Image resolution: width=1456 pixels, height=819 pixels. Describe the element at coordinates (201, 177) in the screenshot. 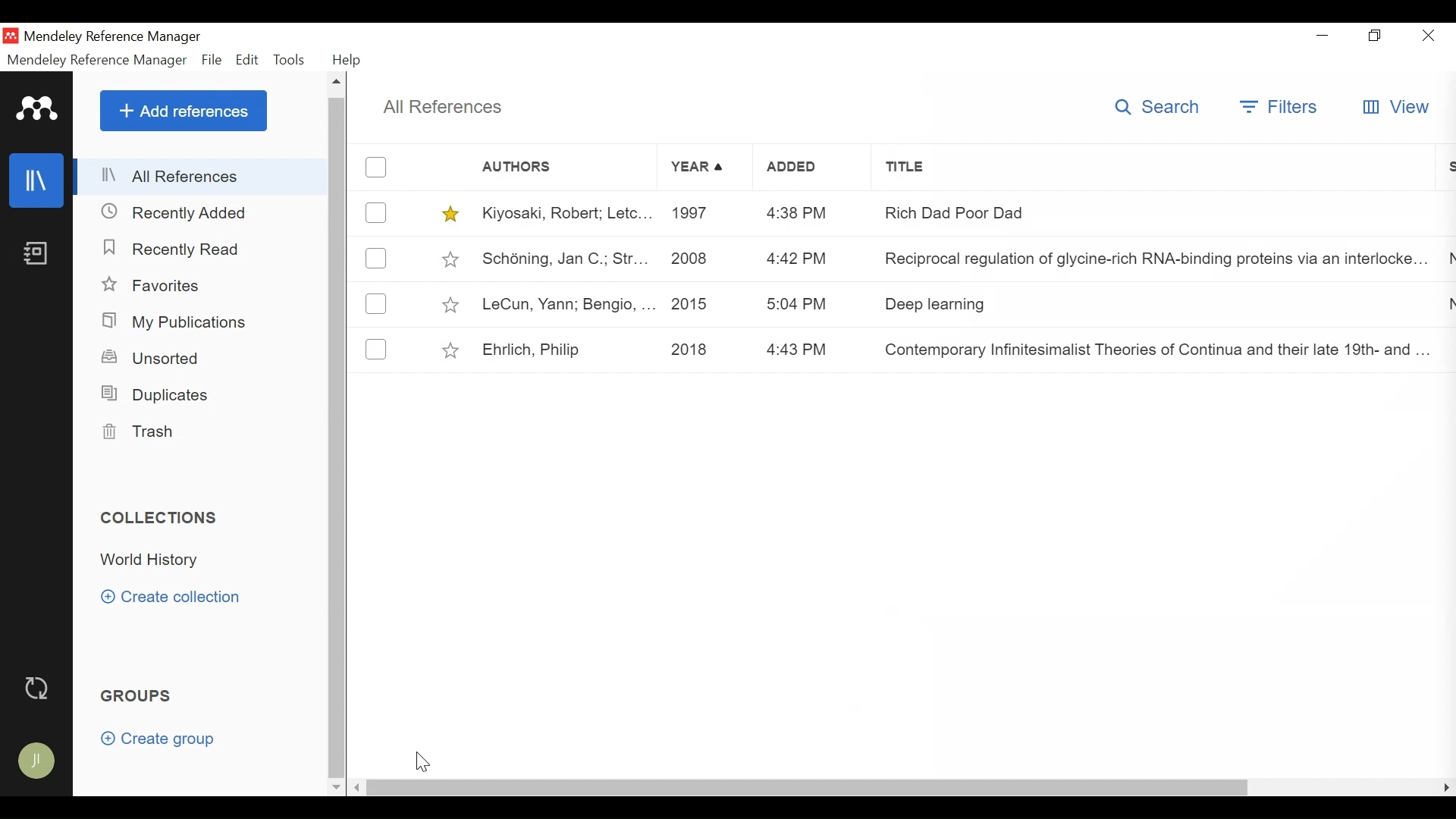

I see `All References` at that location.